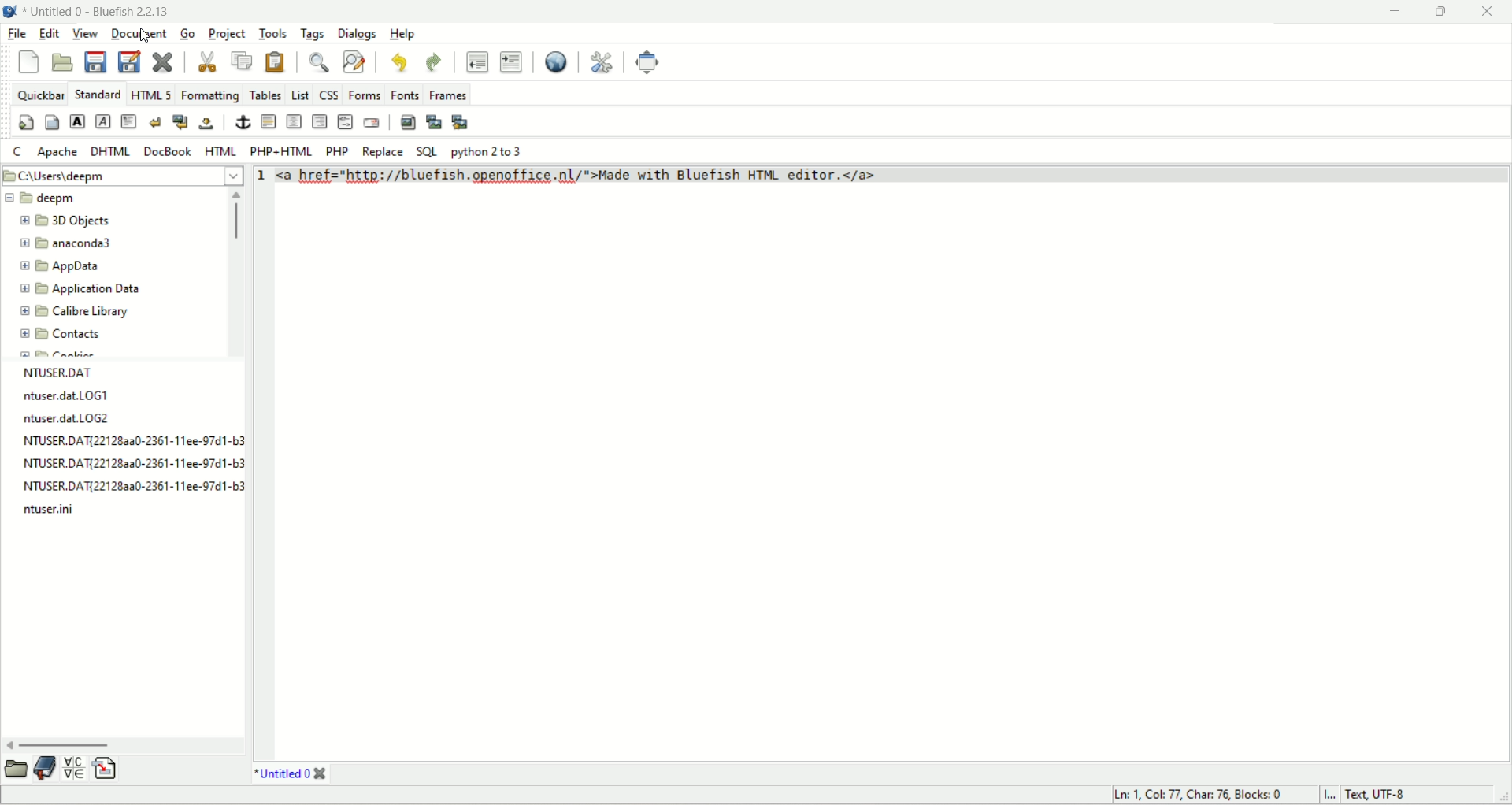 This screenshot has width=1512, height=805. I want to click on PHP, so click(339, 151).